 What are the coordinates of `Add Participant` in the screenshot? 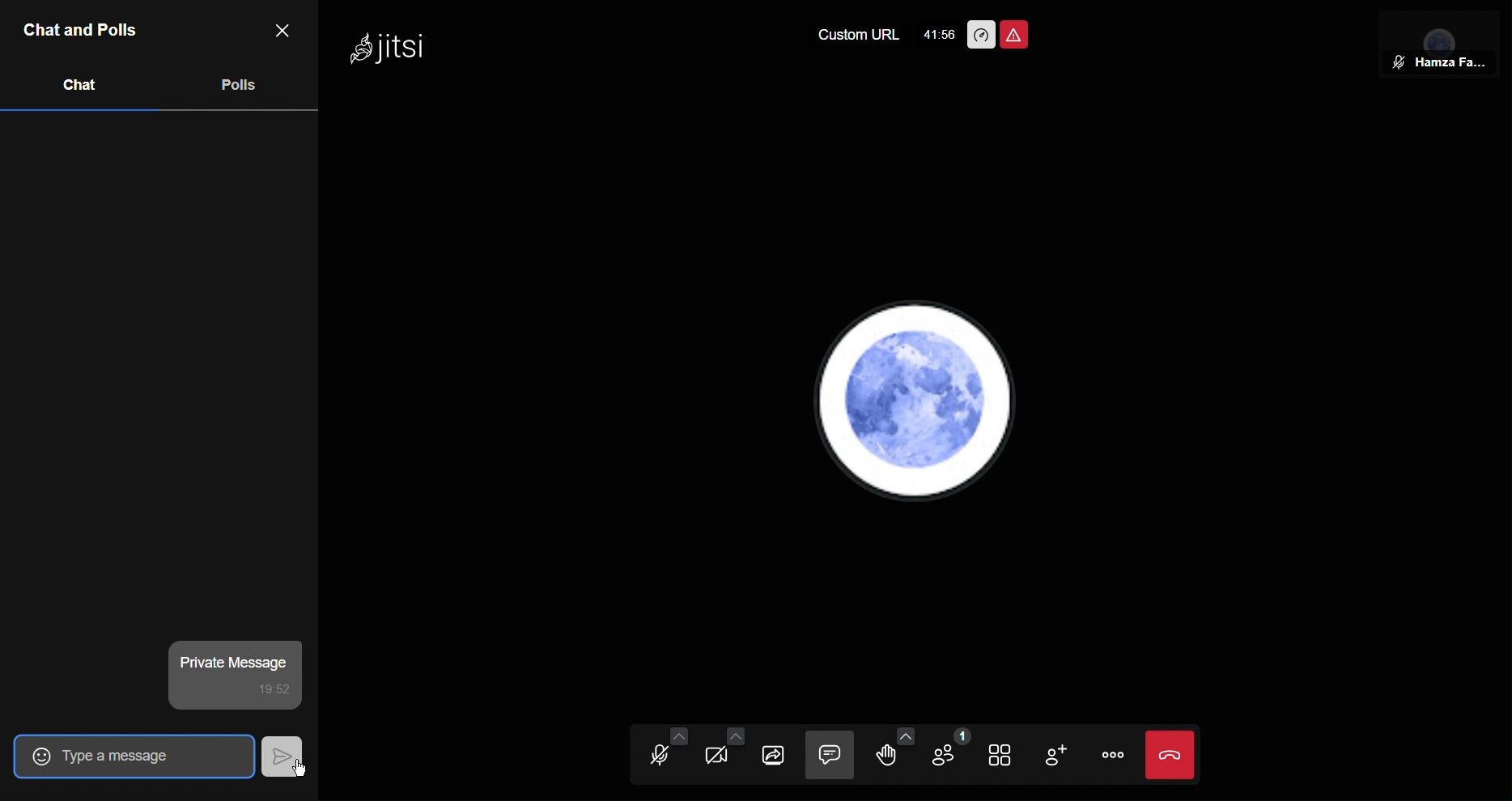 It's located at (1066, 757).